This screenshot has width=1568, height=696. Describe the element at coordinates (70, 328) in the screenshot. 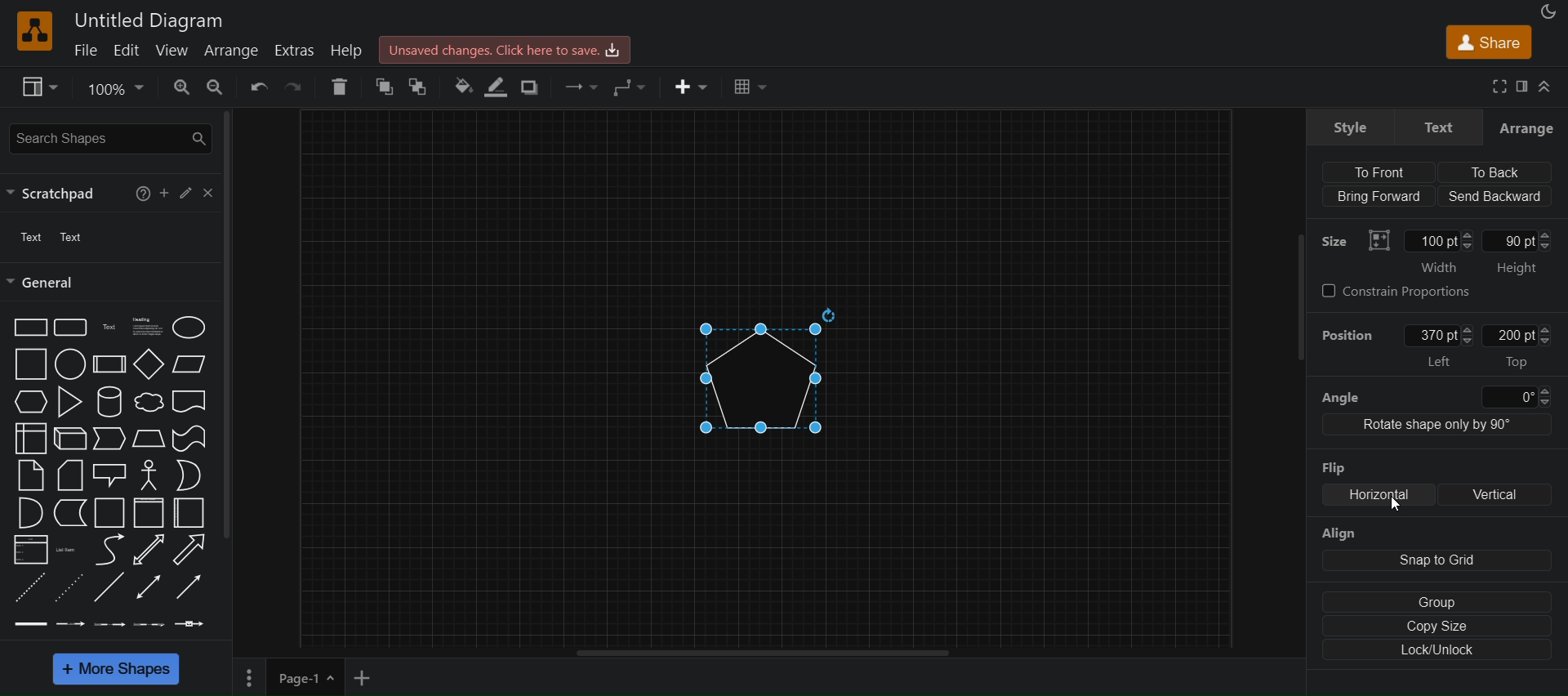

I see `Rounded rectangle` at that location.